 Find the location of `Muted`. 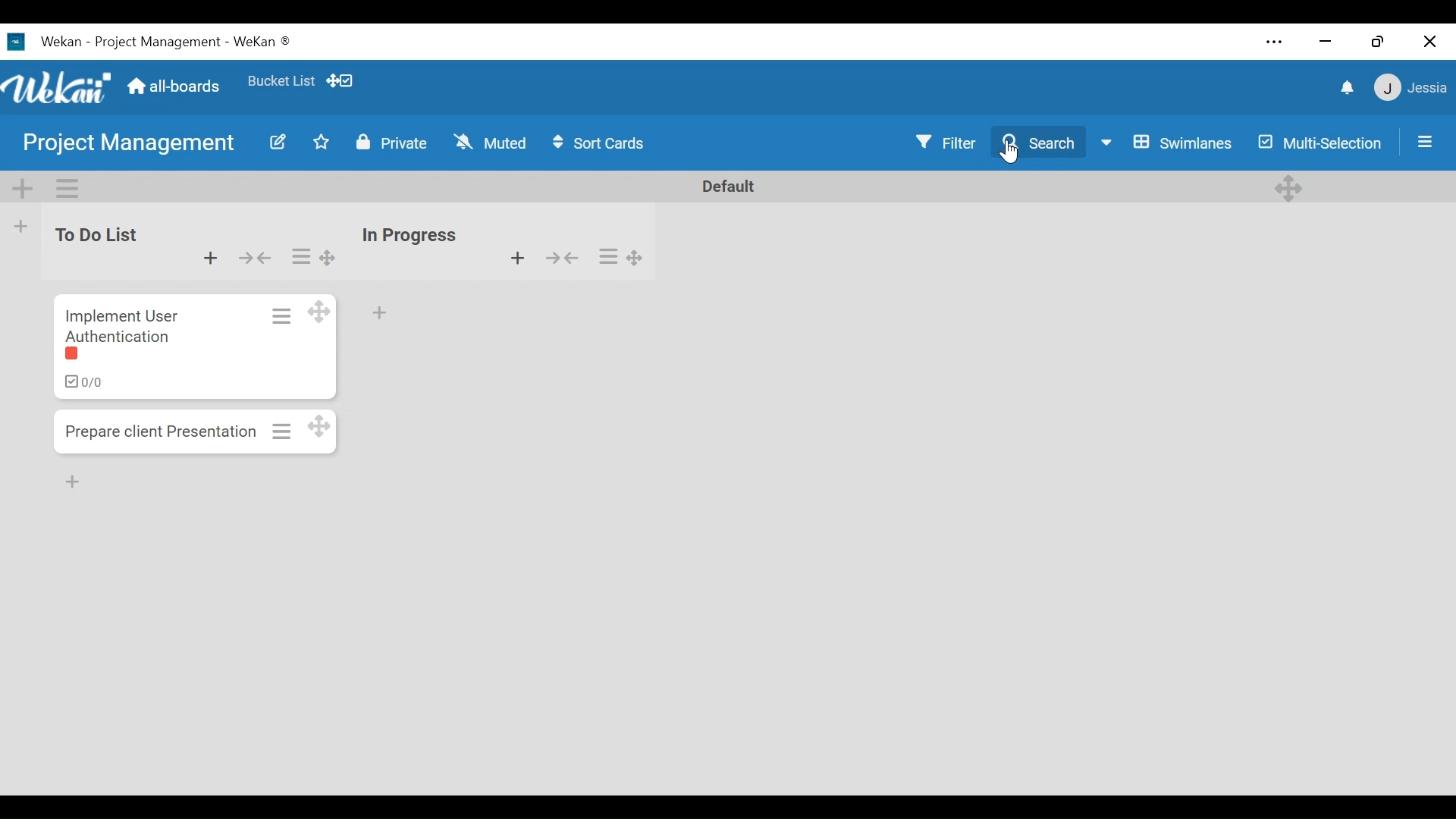

Muted is located at coordinates (491, 143).